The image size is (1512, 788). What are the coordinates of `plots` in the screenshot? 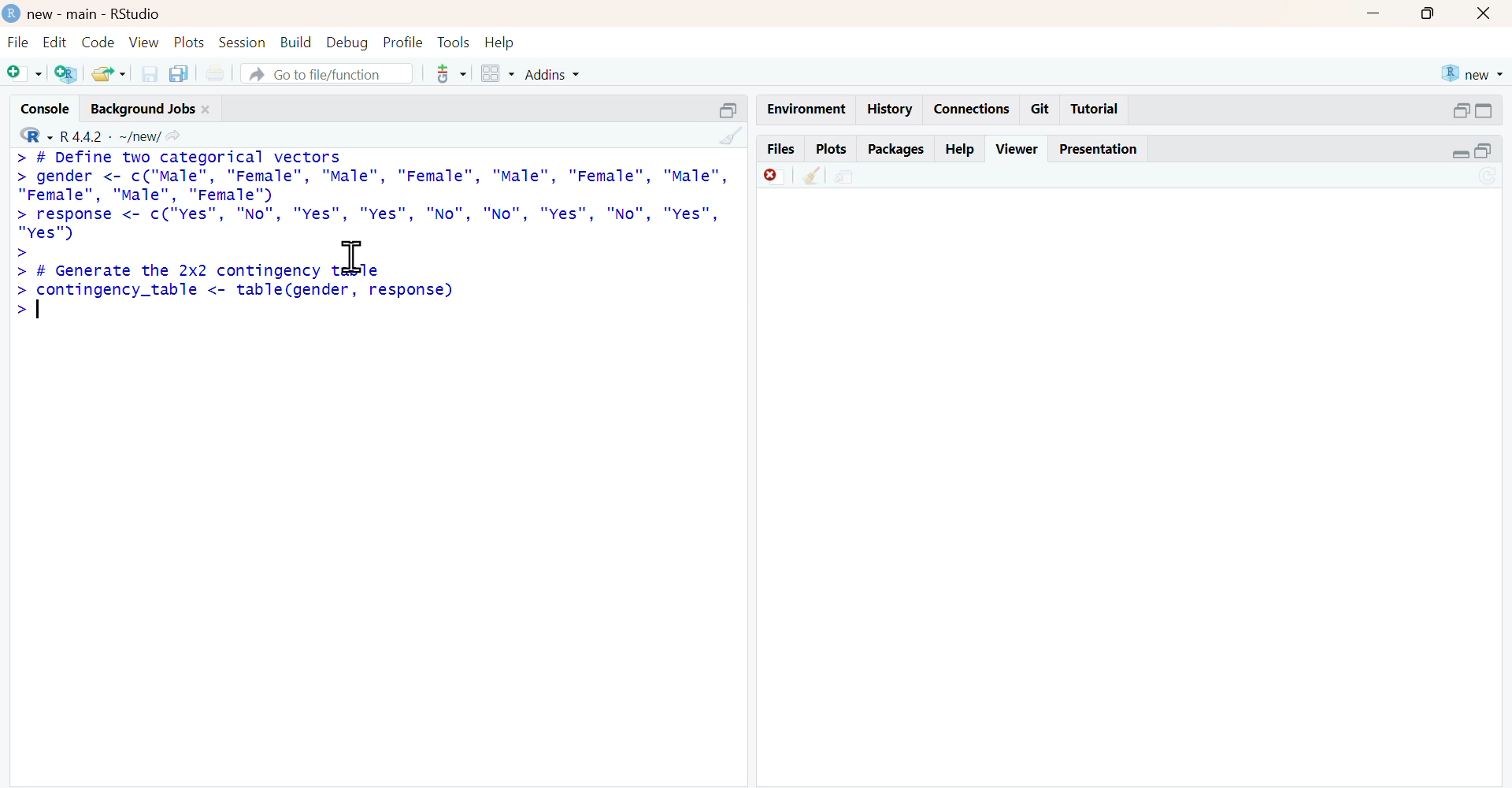 It's located at (833, 149).